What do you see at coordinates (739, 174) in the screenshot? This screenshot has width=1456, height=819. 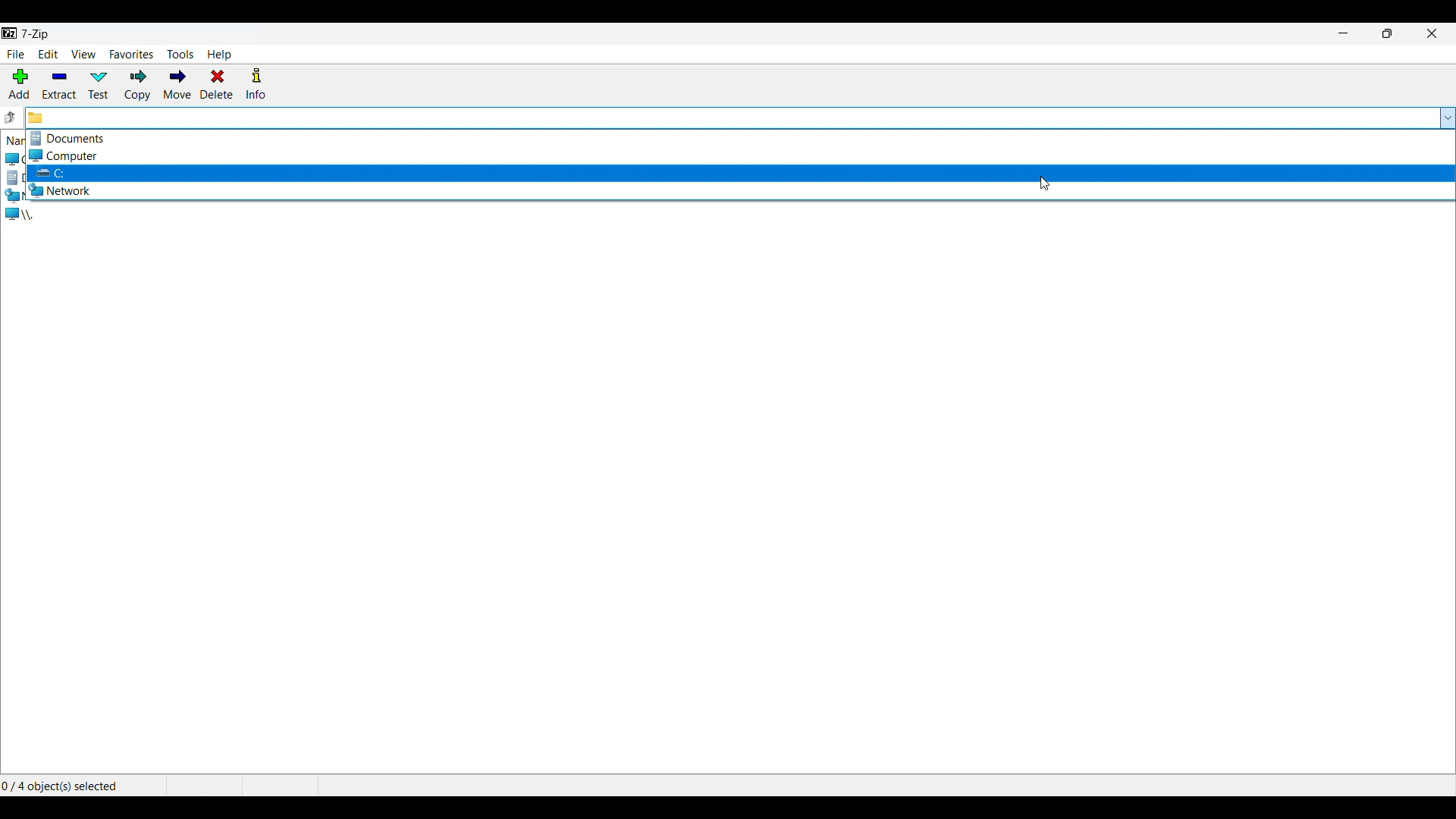 I see `C drive/directory, highlighted by cursor` at bounding box center [739, 174].